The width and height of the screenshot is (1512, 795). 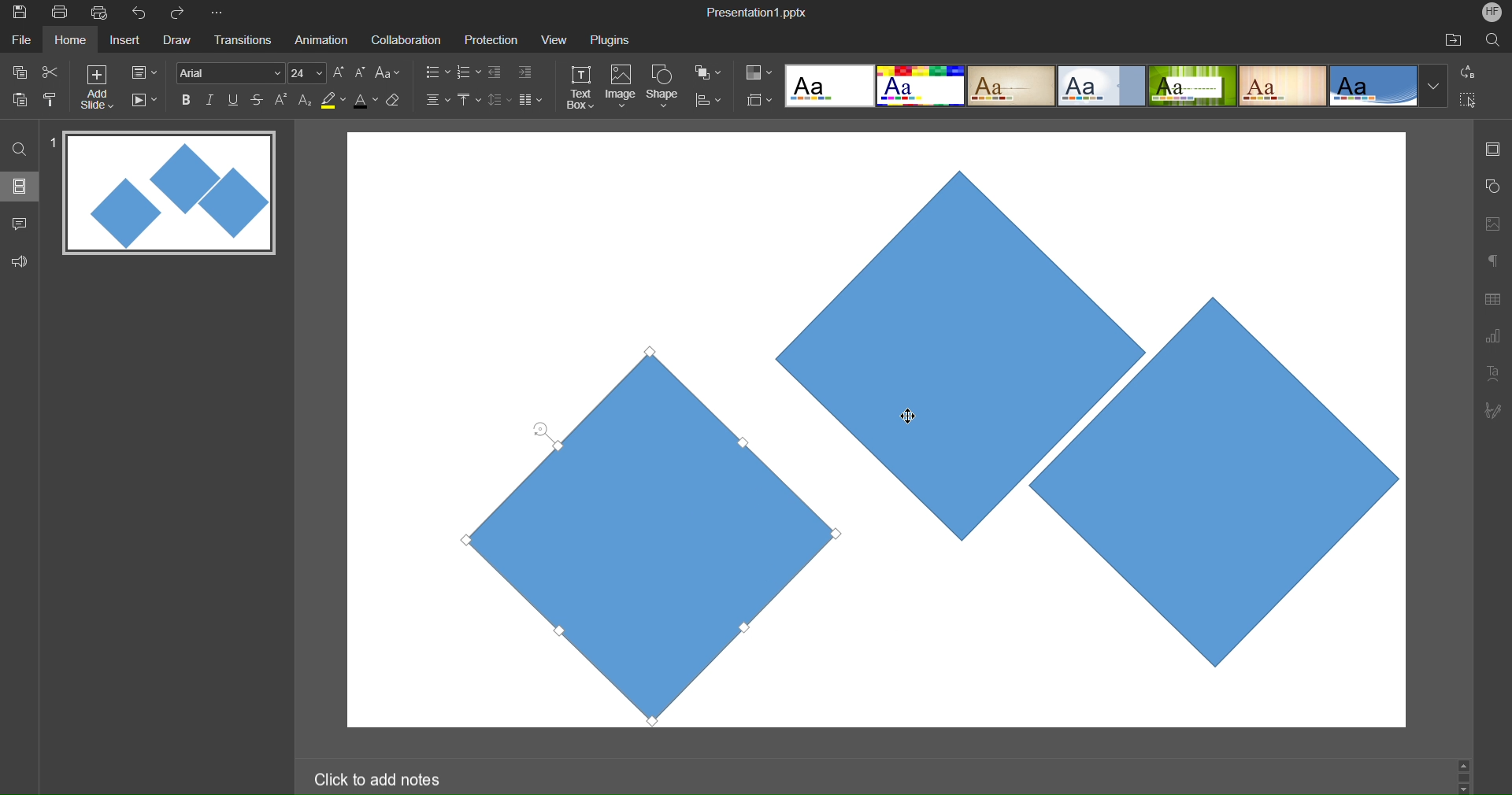 I want to click on Table, so click(x=1493, y=298).